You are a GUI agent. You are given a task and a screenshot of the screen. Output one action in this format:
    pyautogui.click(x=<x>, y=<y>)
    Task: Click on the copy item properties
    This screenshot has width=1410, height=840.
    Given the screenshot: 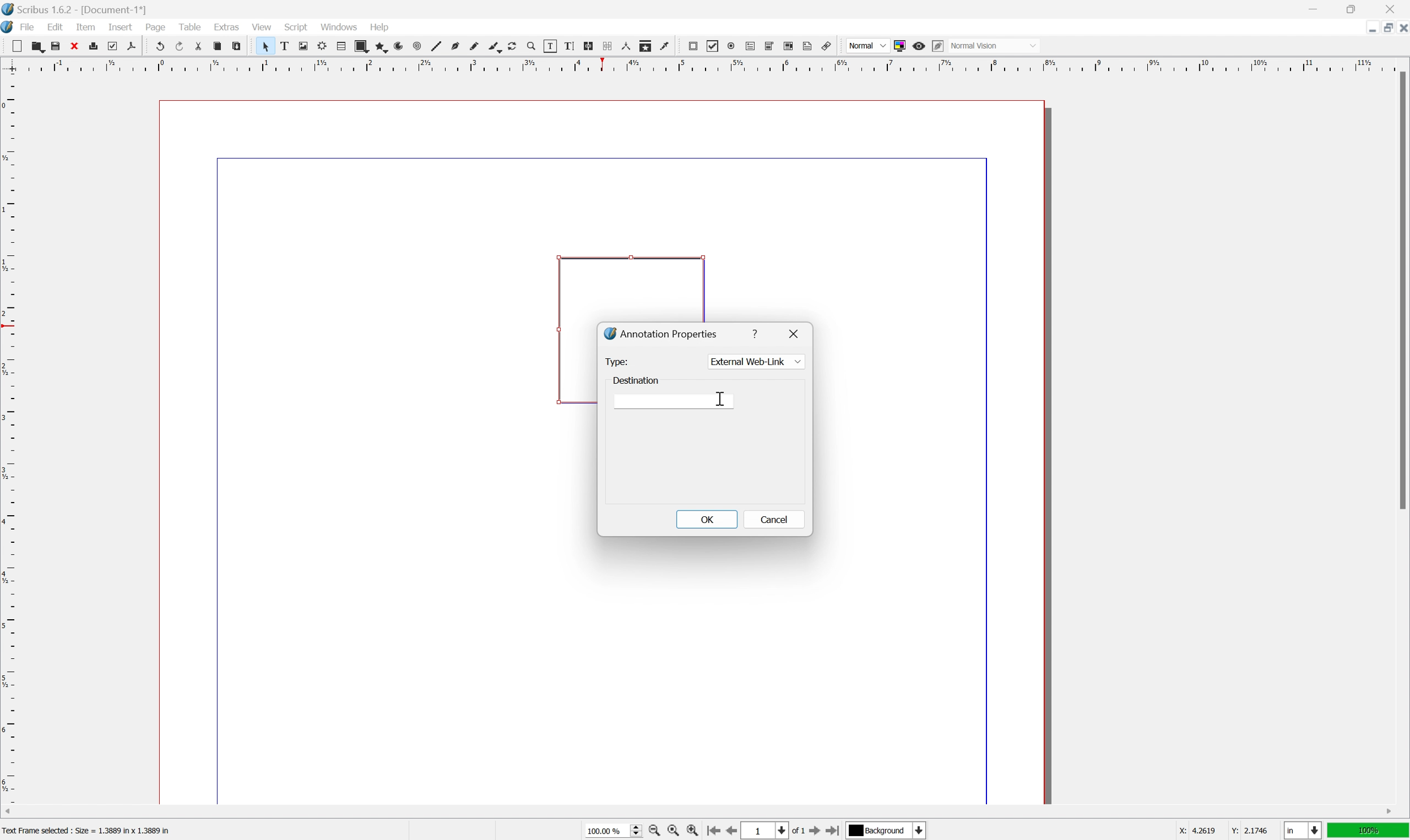 What is the action you would take?
    pyautogui.click(x=646, y=46)
    